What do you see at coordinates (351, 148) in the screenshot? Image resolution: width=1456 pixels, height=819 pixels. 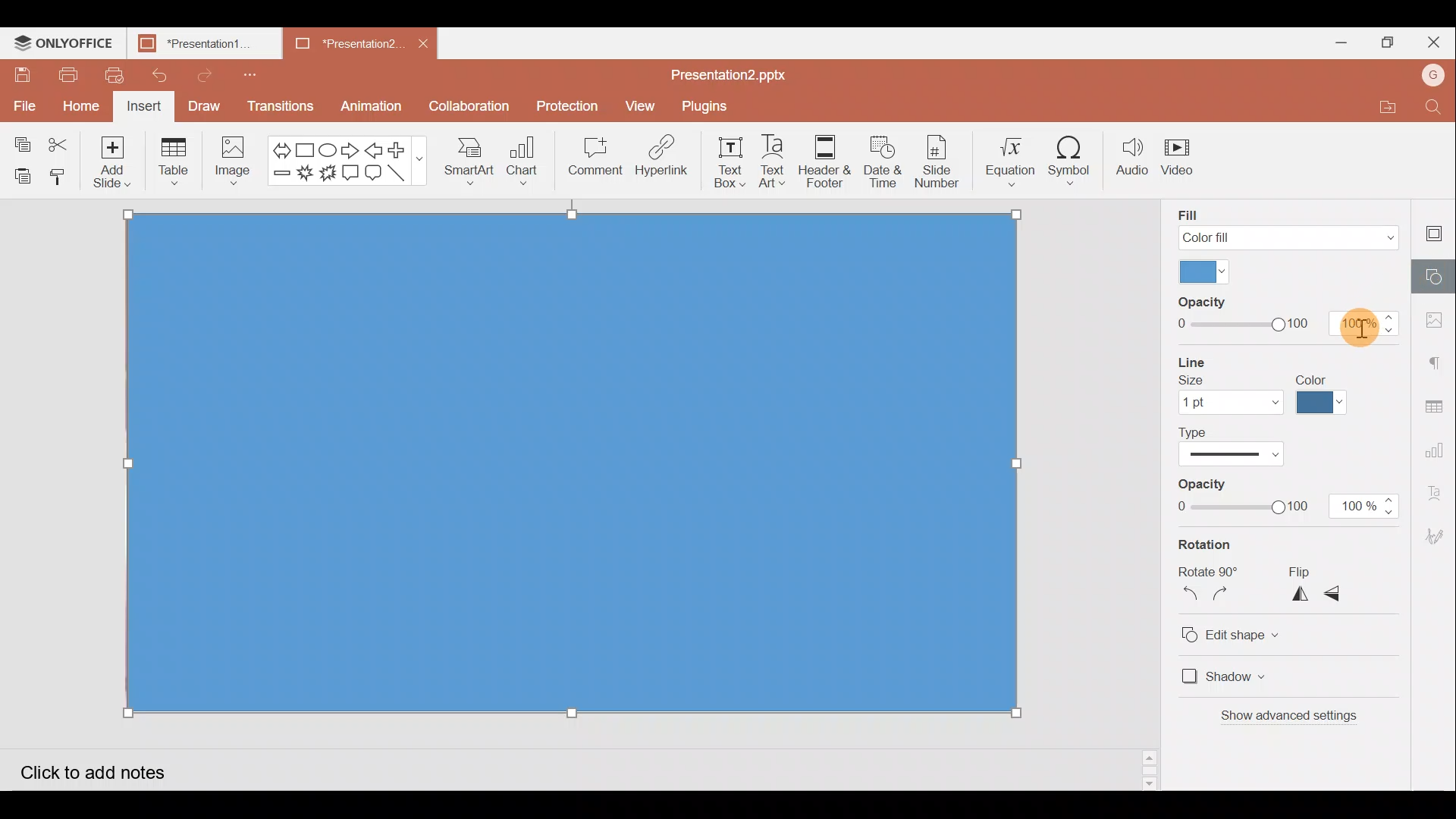 I see `Right arrow` at bounding box center [351, 148].